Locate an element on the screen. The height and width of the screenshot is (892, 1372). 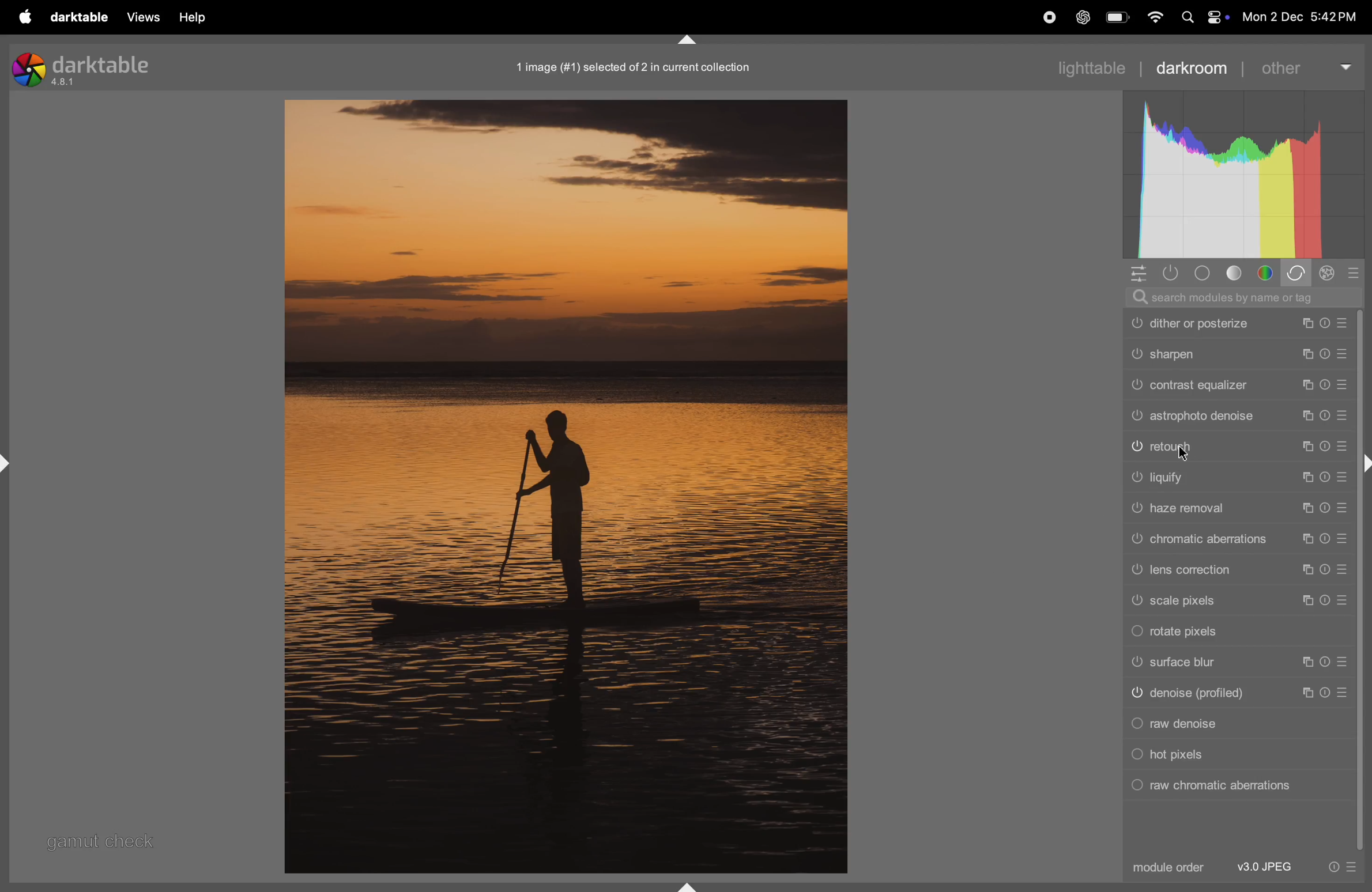
record is located at coordinates (1049, 18).